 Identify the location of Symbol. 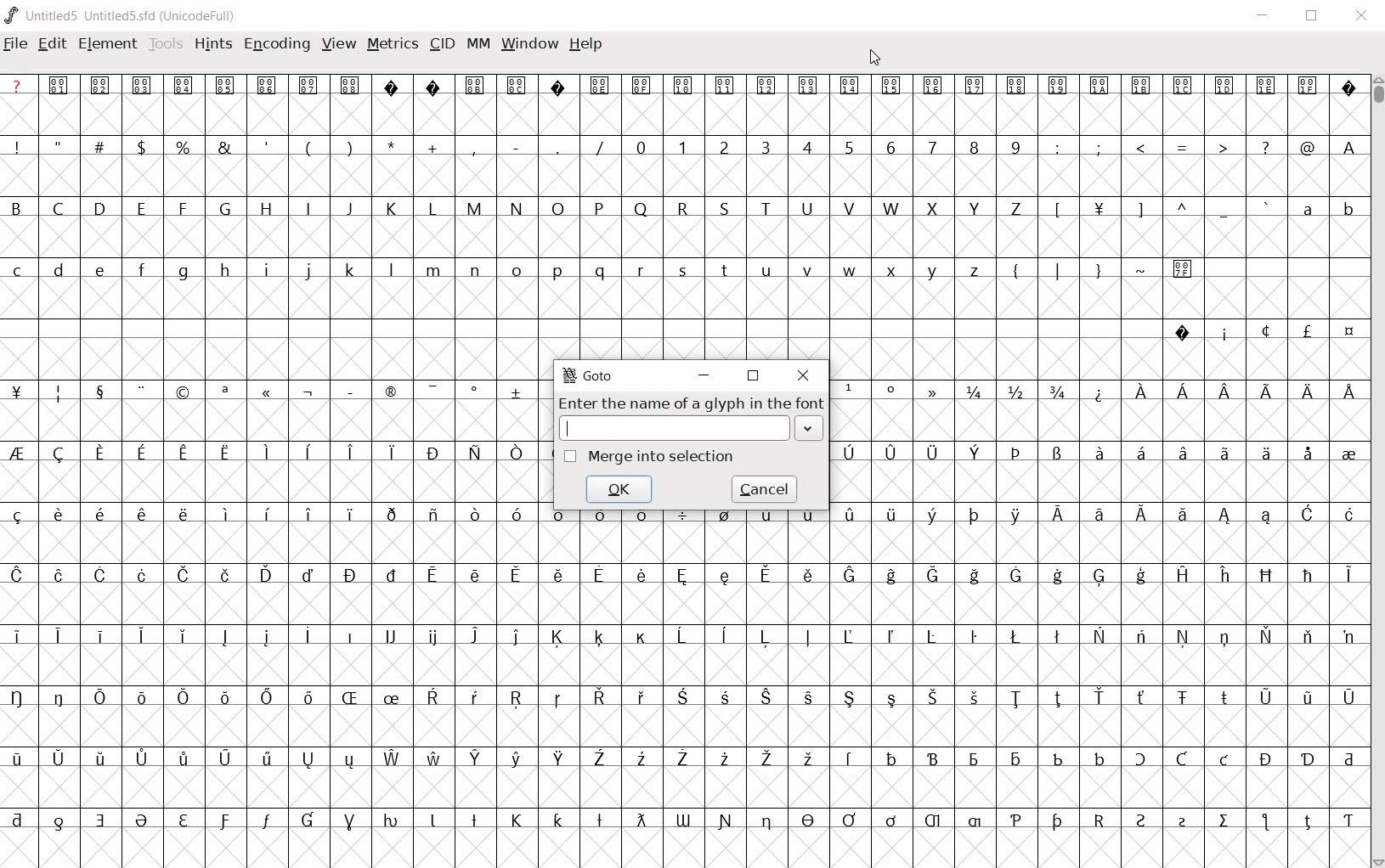
(432, 578).